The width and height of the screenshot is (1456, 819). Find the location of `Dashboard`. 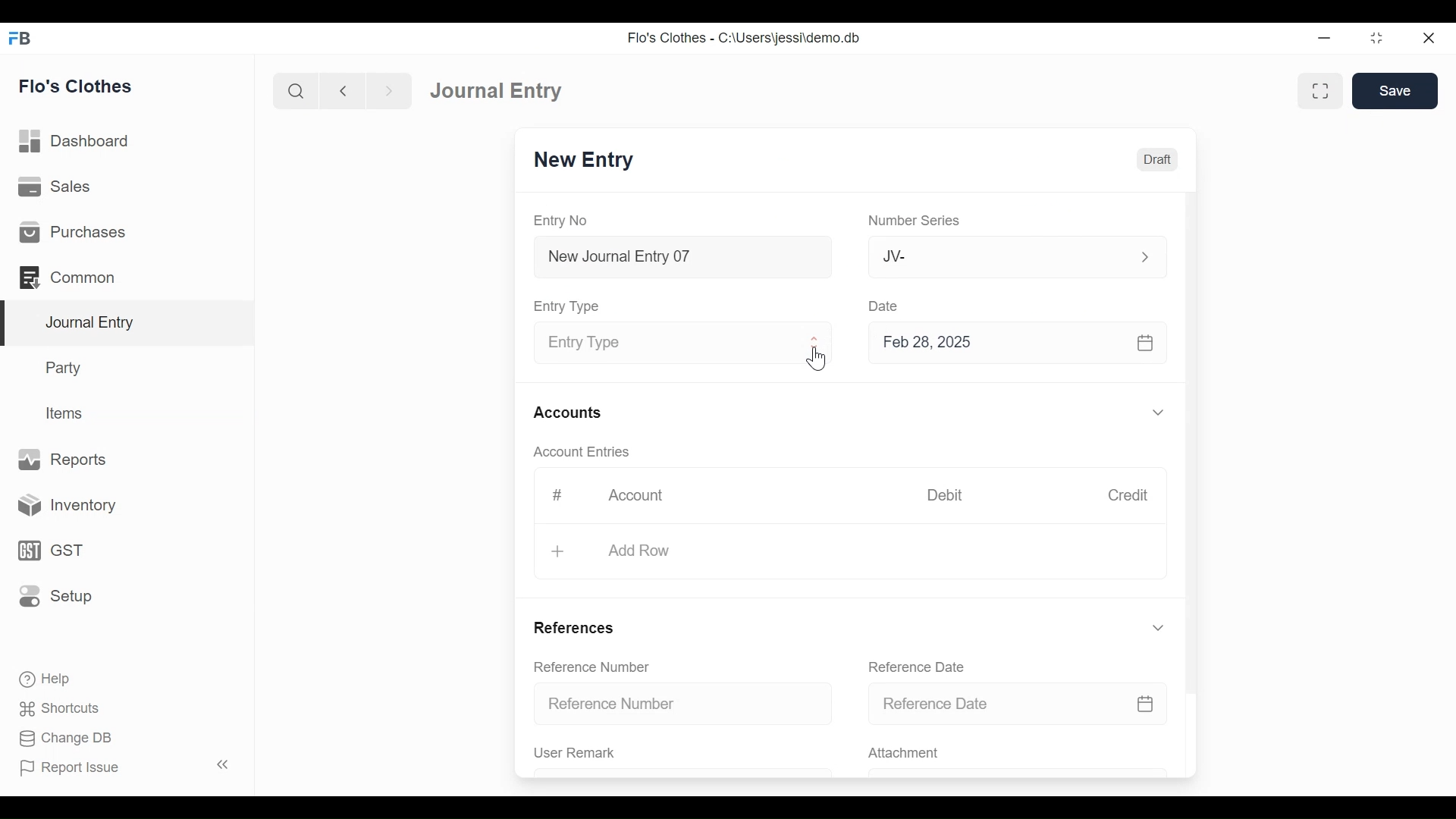

Dashboard is located at coordinates (75, 140).